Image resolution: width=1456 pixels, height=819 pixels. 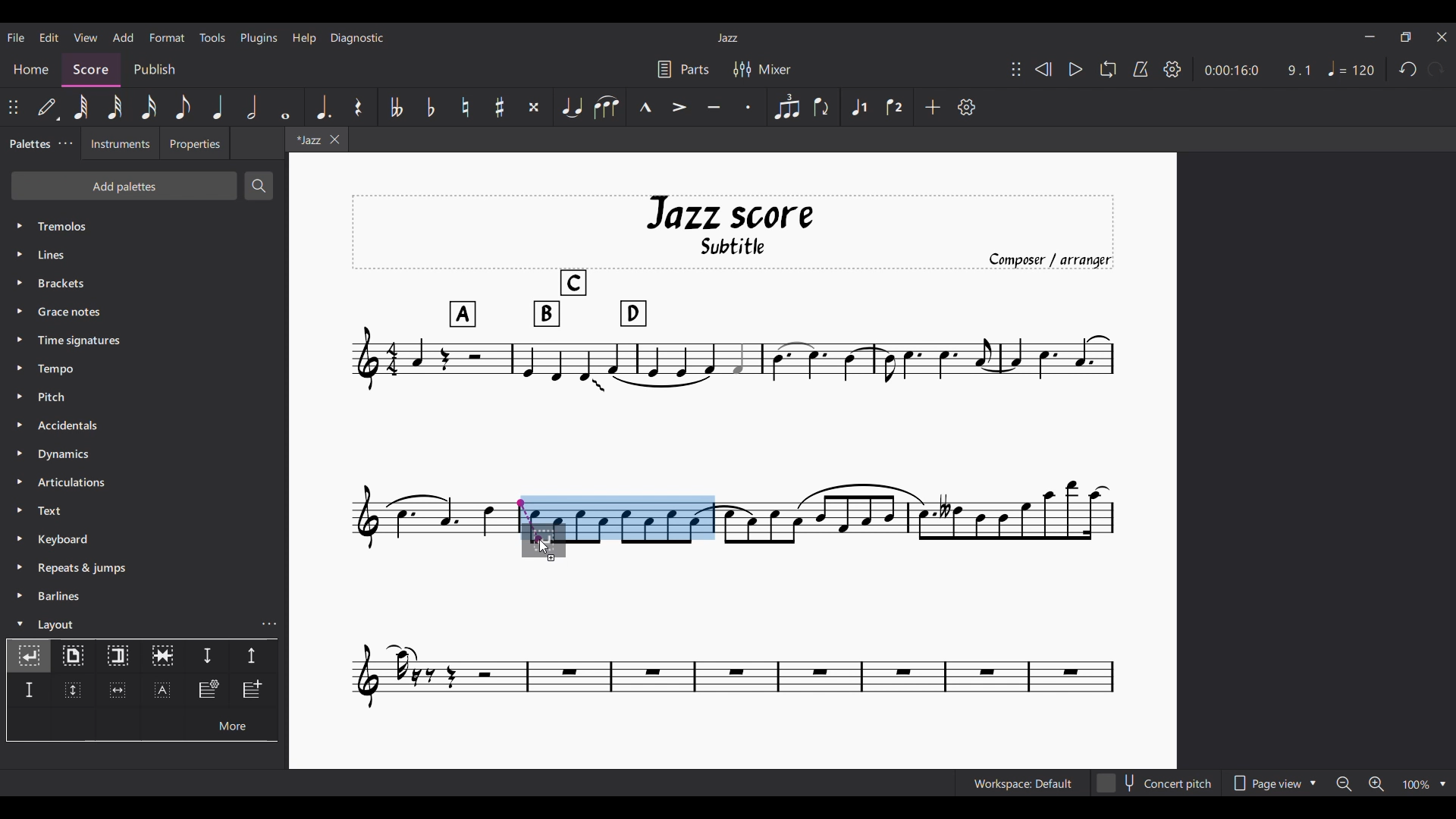 I want to click on Metronome , so click(x=1141, y=69).